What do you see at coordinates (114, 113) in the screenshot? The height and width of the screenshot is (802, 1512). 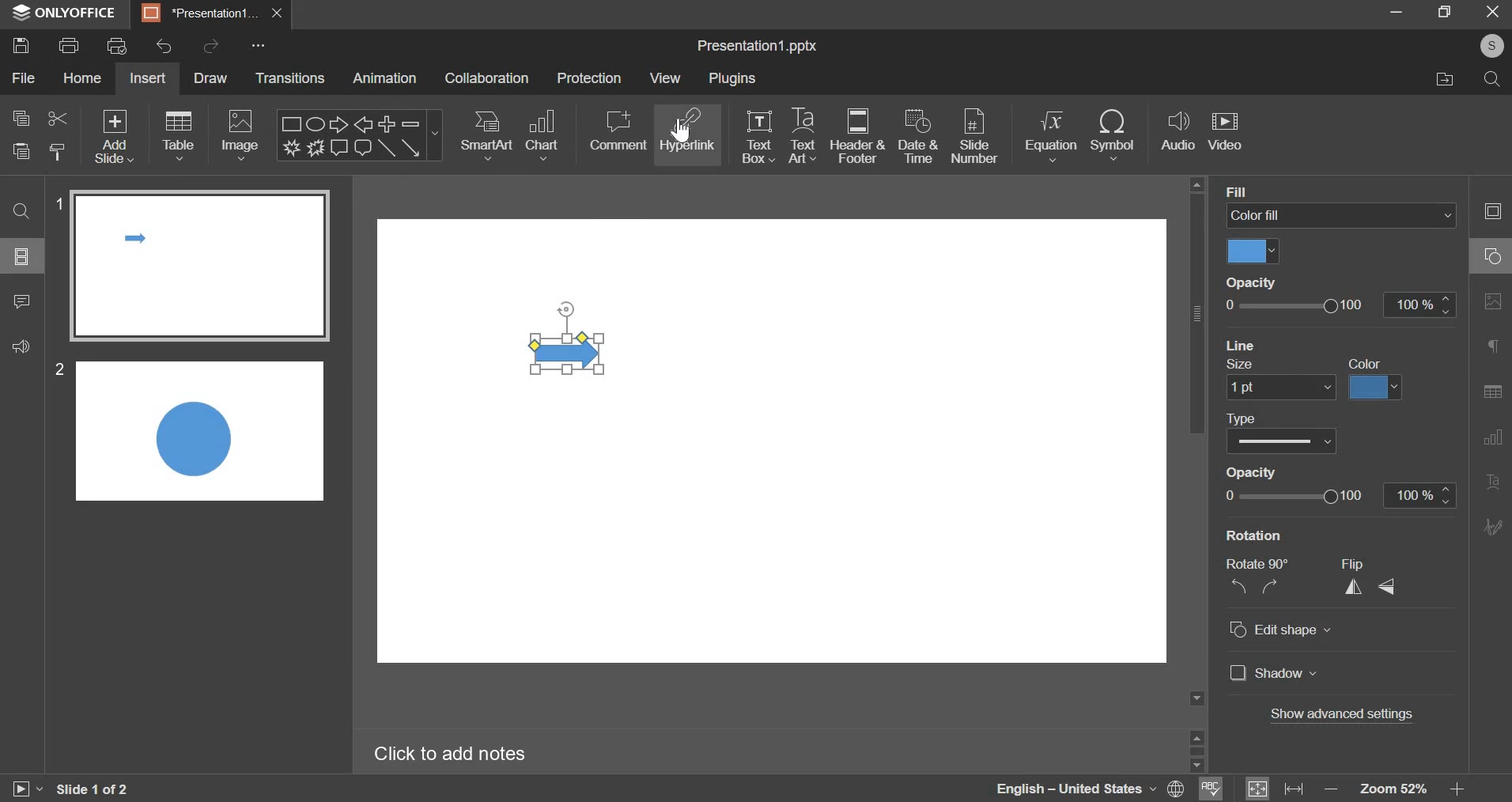 I see `` at bounding box center [114, 113].